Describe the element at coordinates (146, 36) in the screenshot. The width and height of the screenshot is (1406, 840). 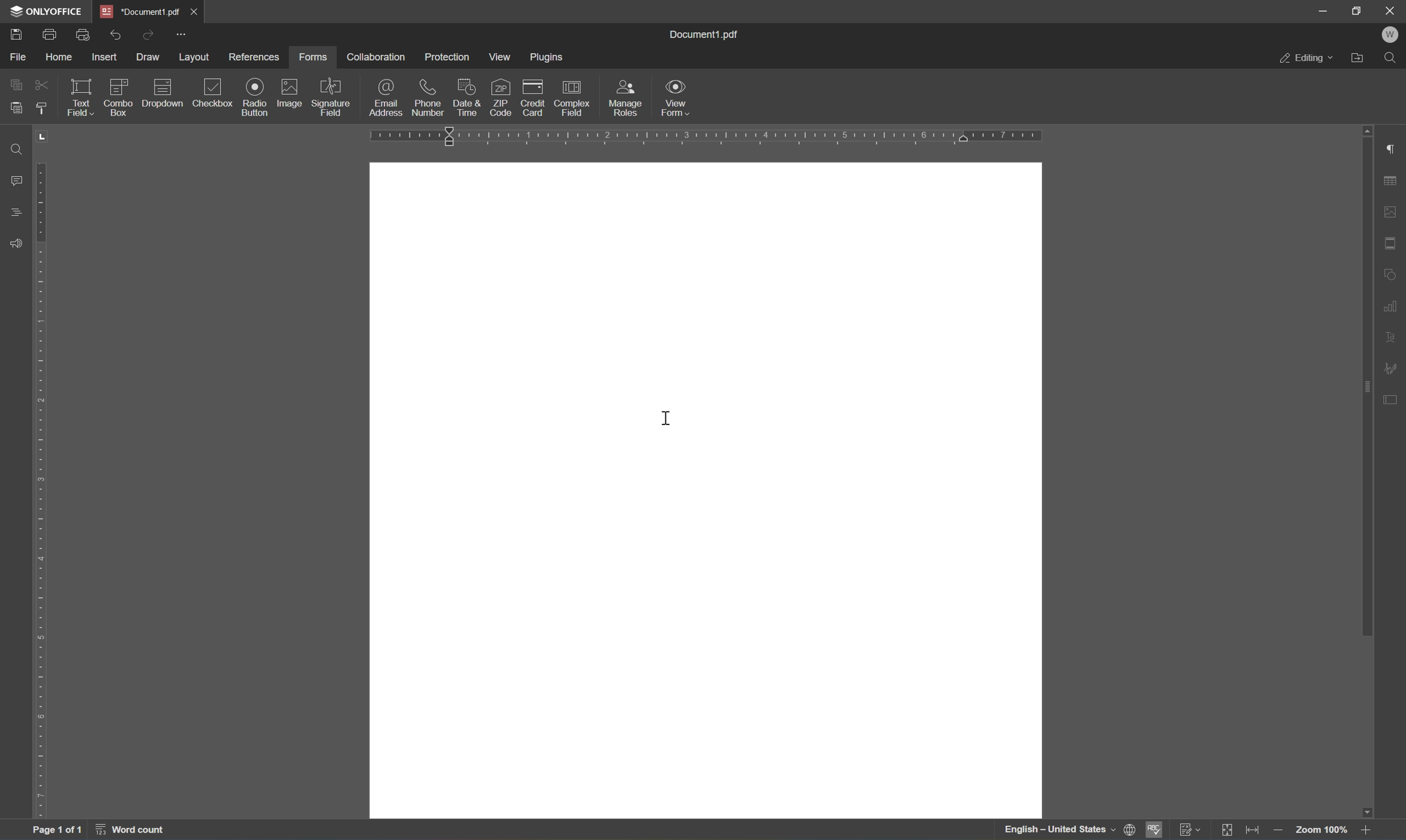
I see `redo` at that location.